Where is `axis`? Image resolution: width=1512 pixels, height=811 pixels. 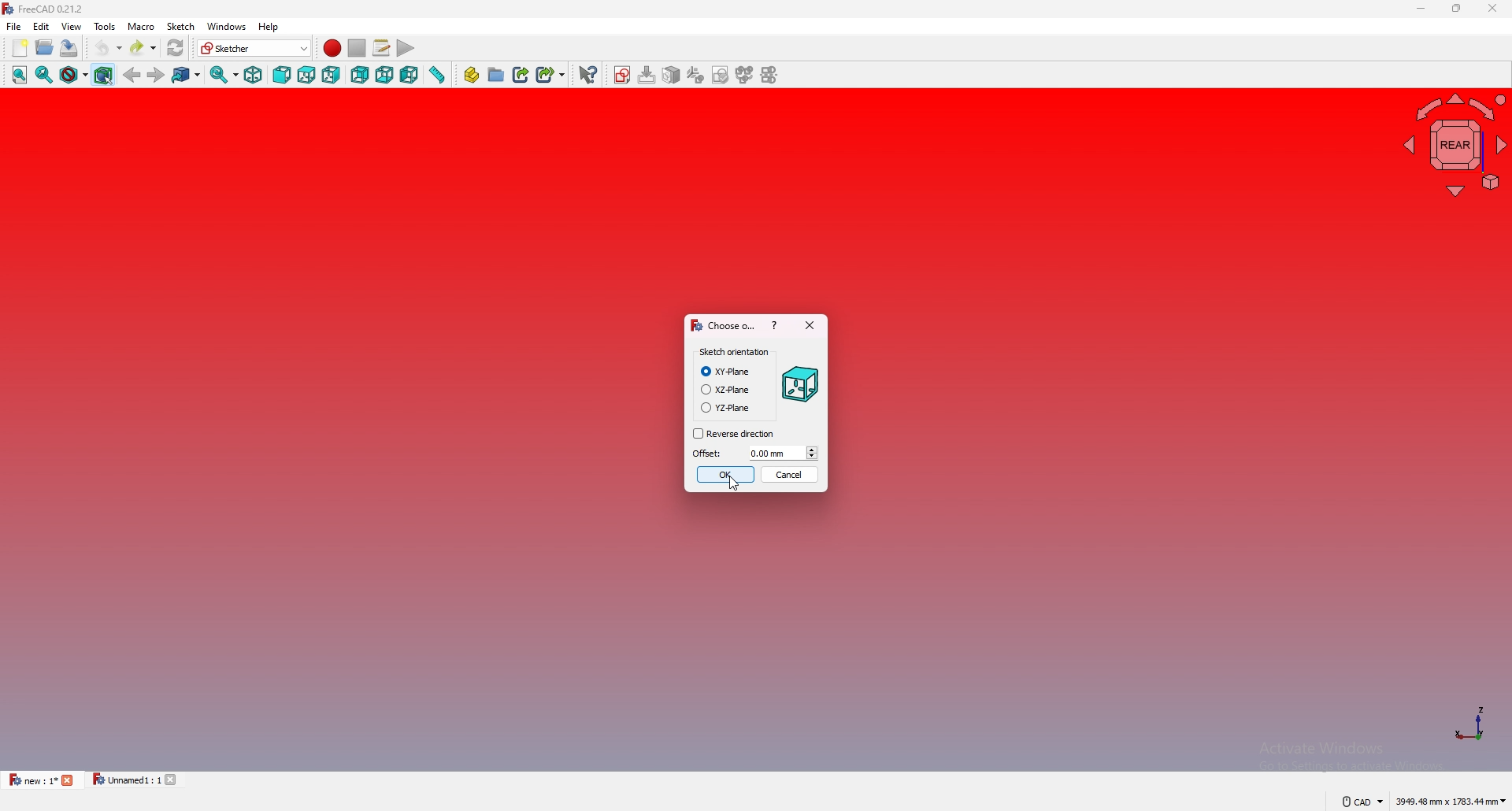
axis is located at coordinates (1475, 724).